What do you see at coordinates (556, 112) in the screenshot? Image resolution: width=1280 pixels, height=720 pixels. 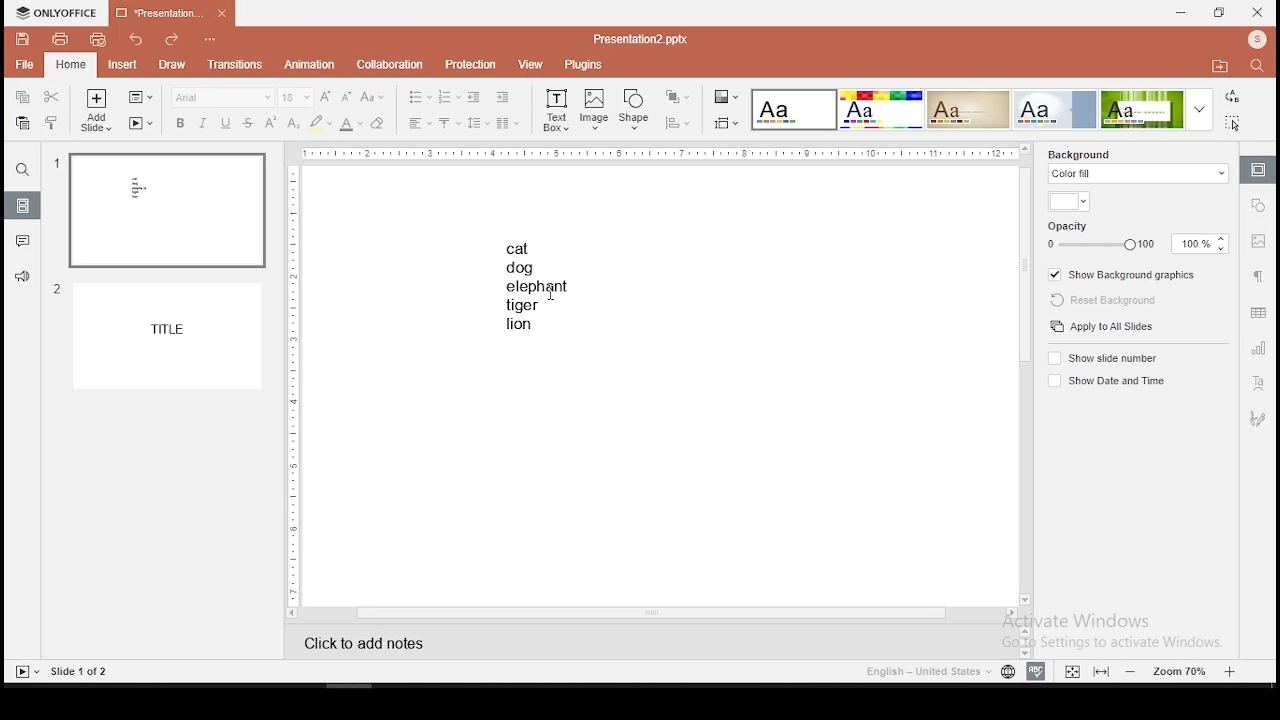 I see `text box` at bounding box center [556, 112].